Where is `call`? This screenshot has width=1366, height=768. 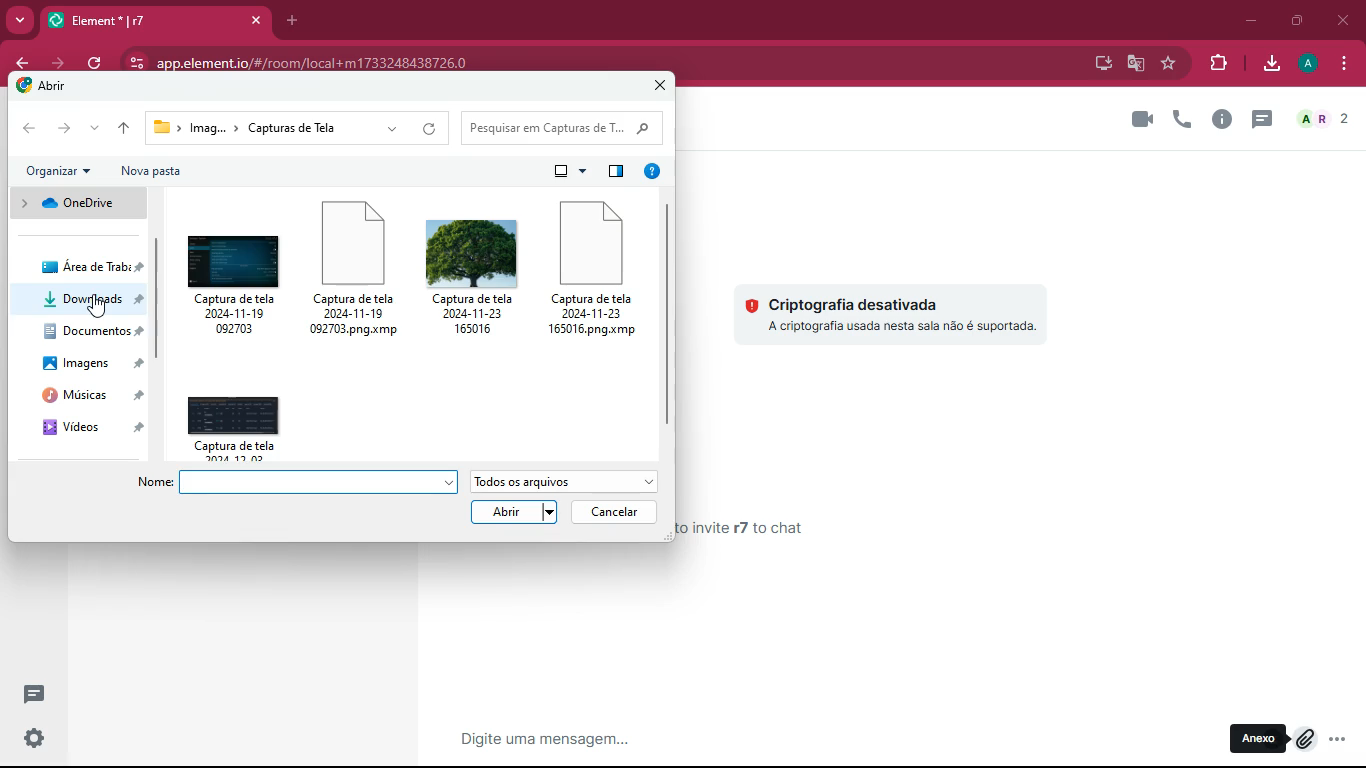
call is located at coordinates (1182, 119).